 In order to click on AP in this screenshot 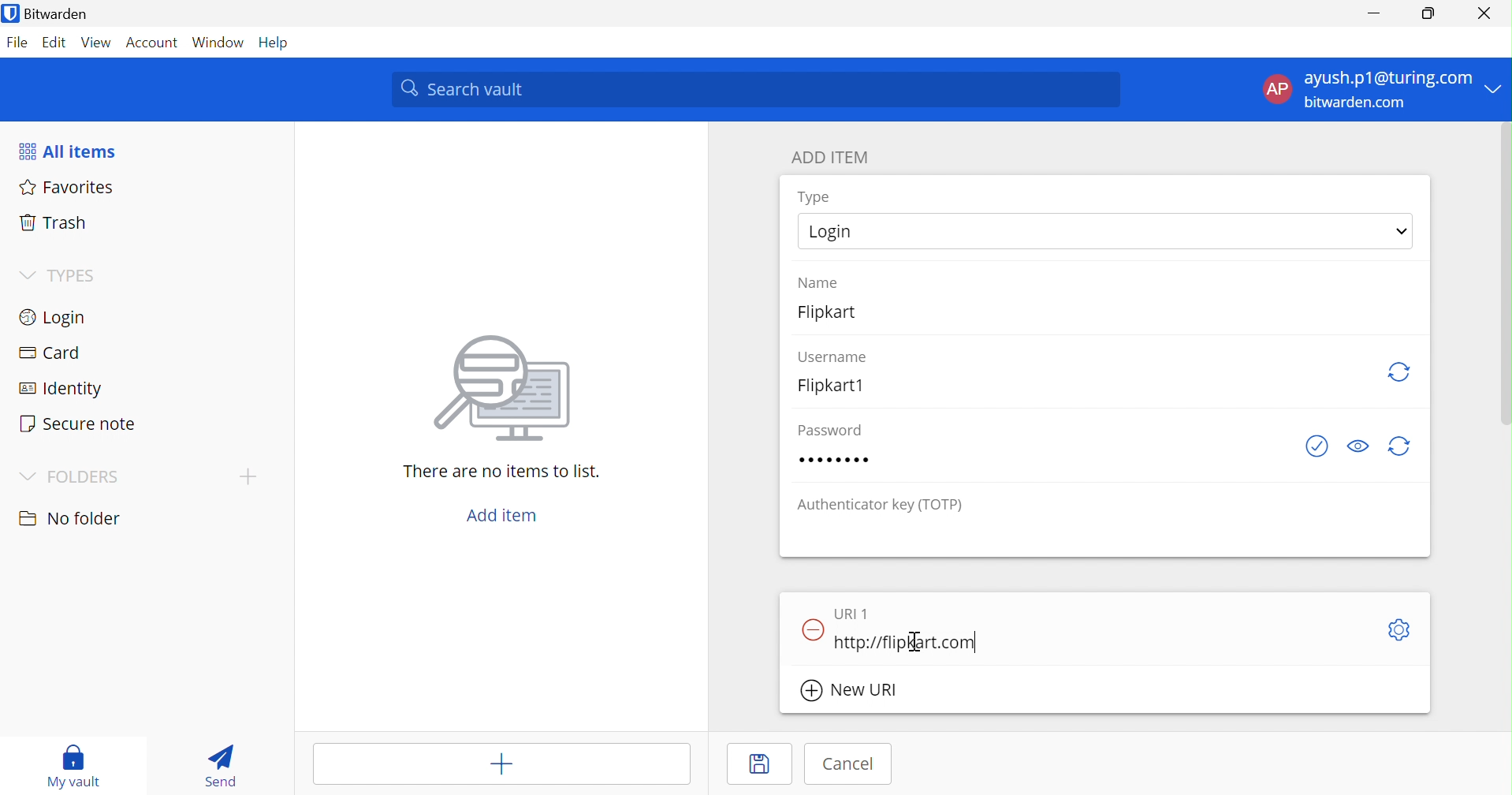, I will do `click(1276, 88)`.